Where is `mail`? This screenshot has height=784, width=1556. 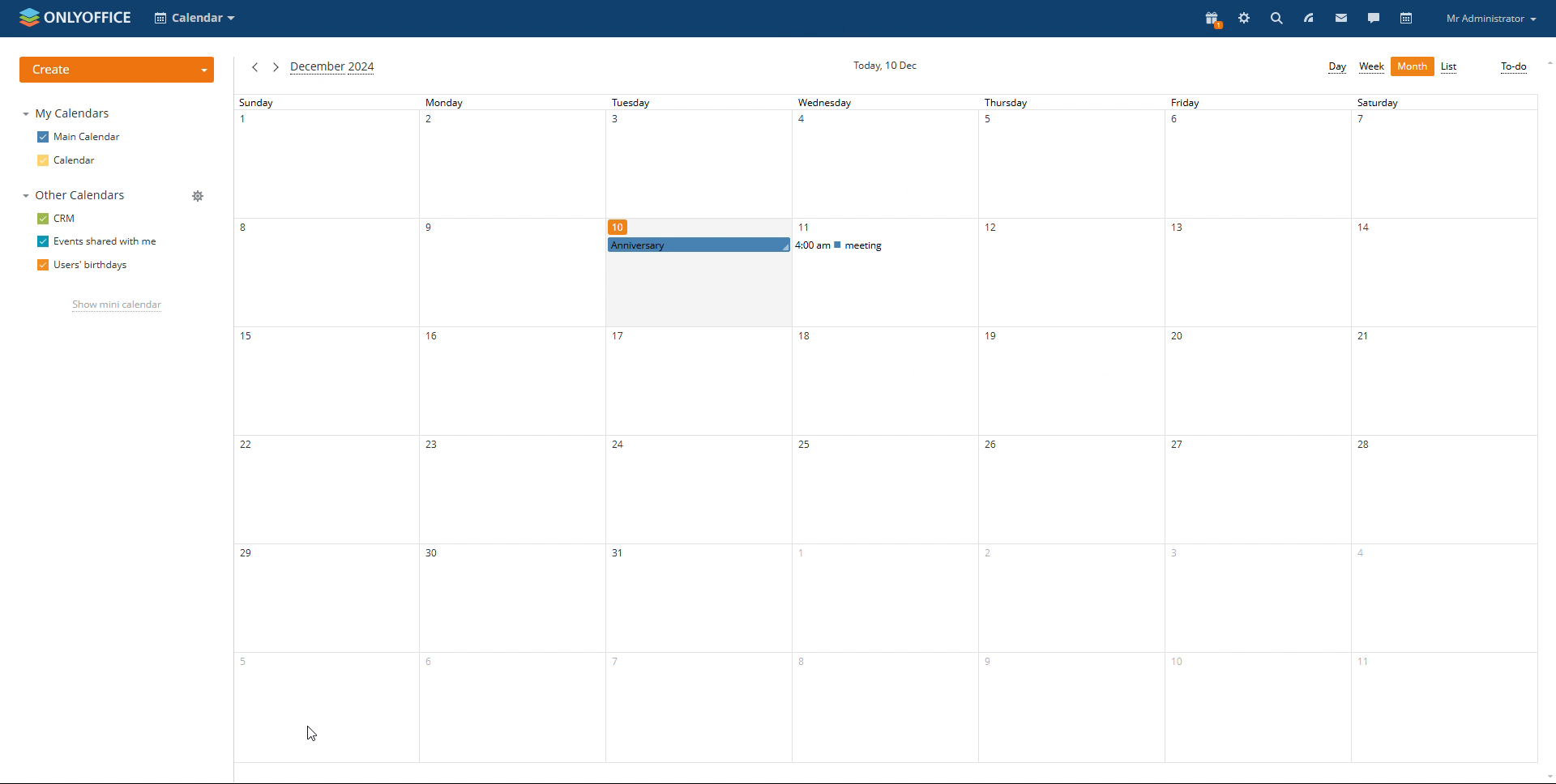
mail is located at coordinates (1346, 19).